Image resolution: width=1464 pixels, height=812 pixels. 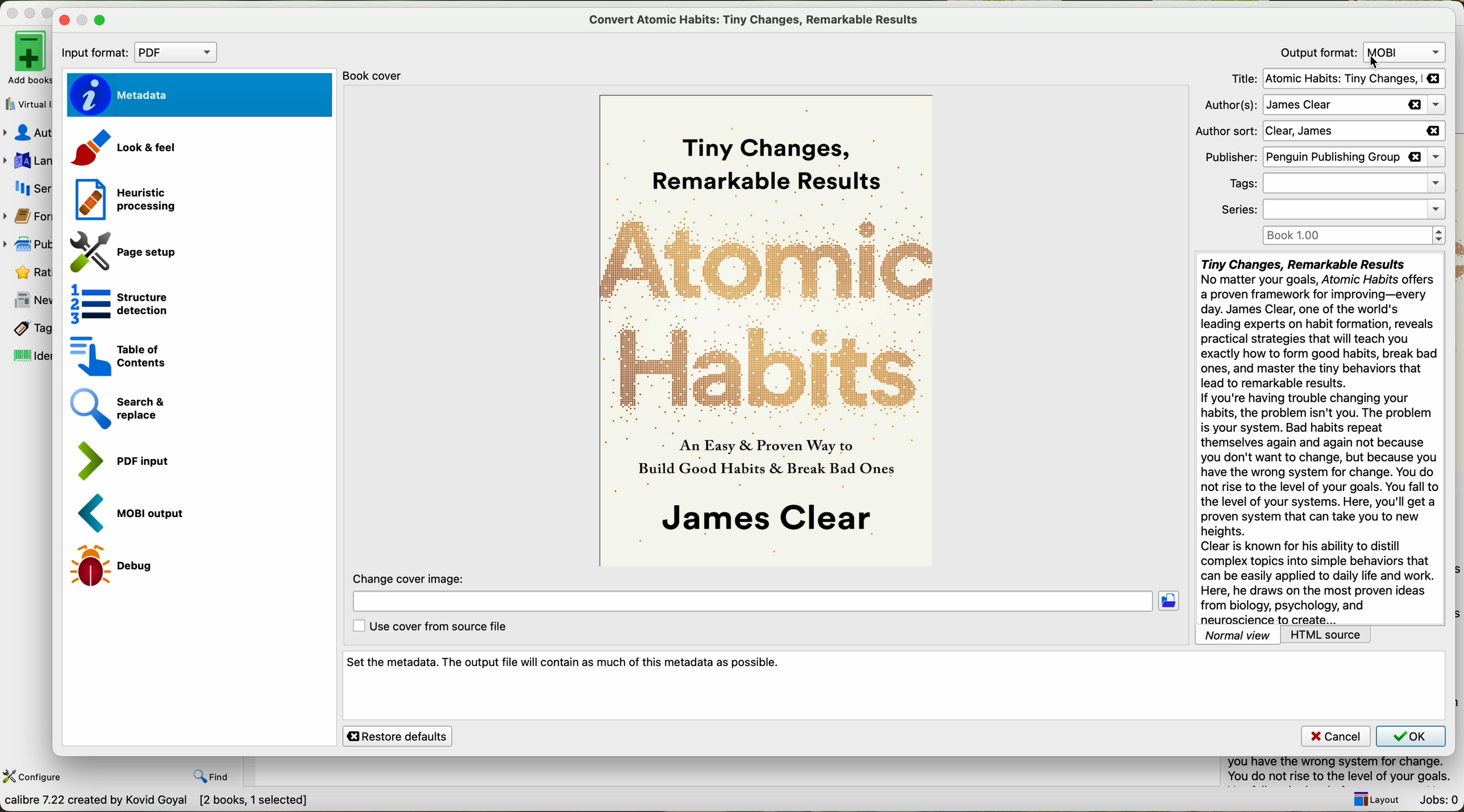 I want to click on book cover, so click(x=379, y=76).